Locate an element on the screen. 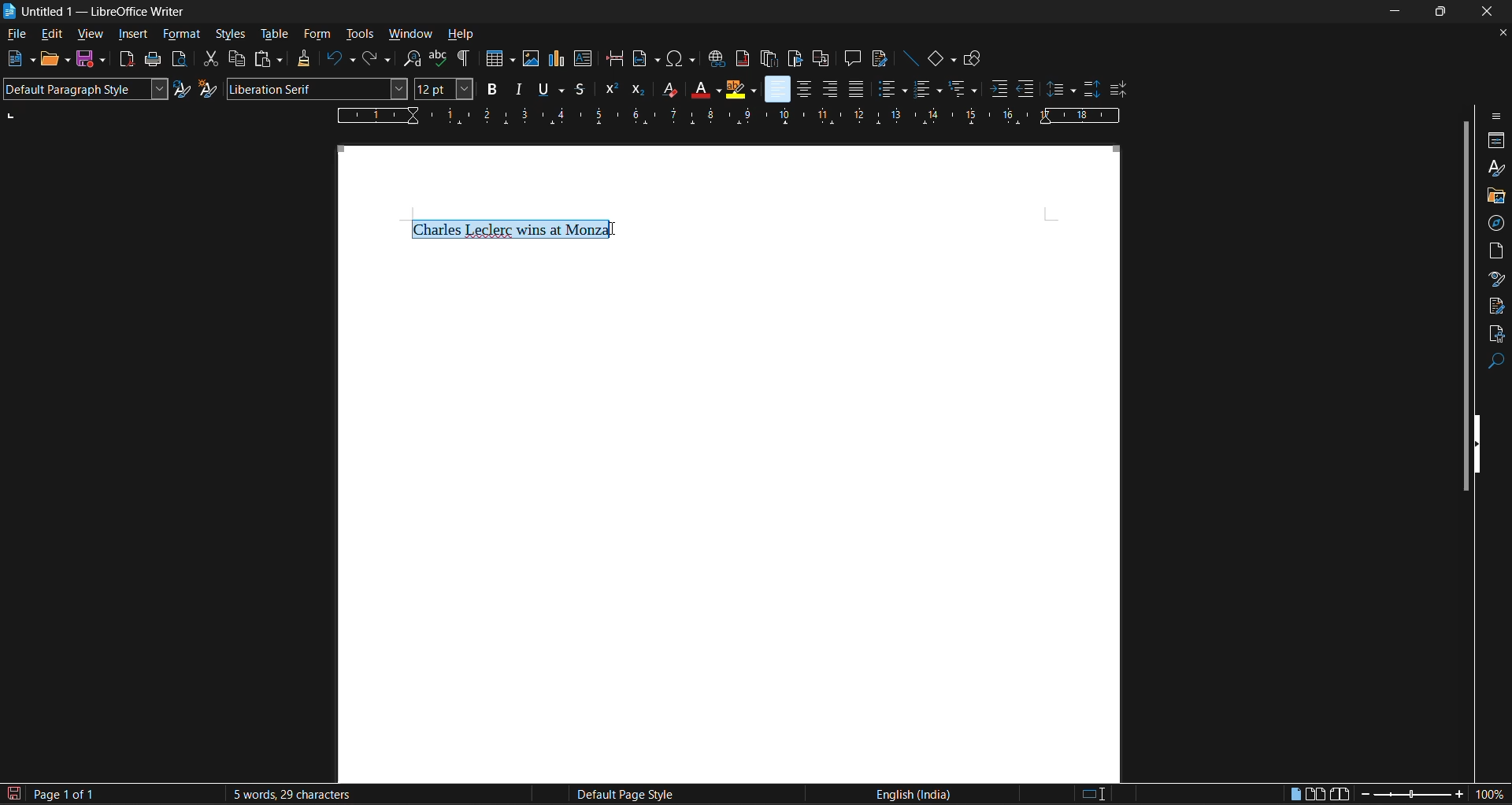 Image resolution: width=1512 pixels, height=805 pixels. insert footnote is located at coordinates (742, 58).